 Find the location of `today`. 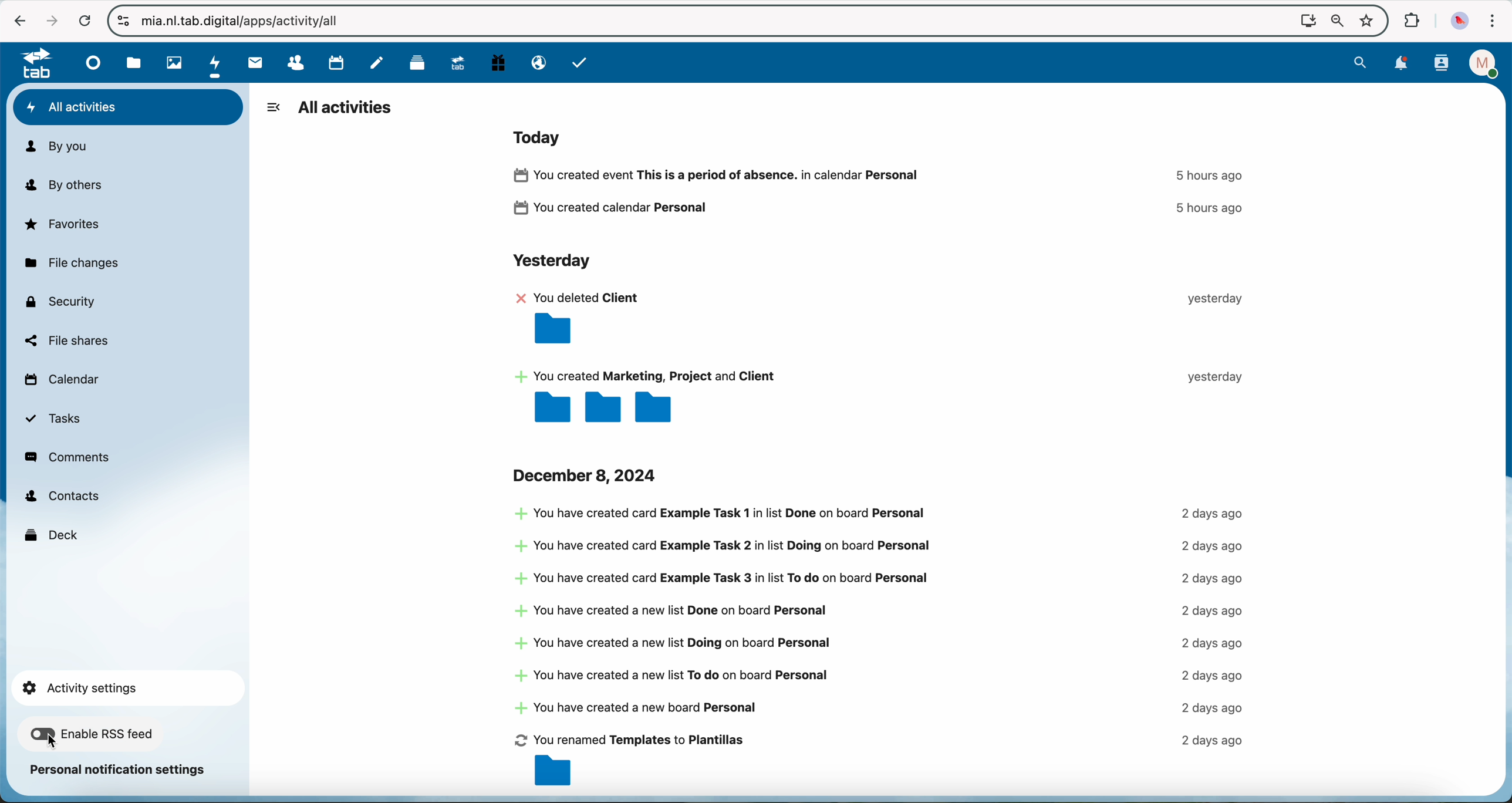

today is located at coordinates (541, 136).